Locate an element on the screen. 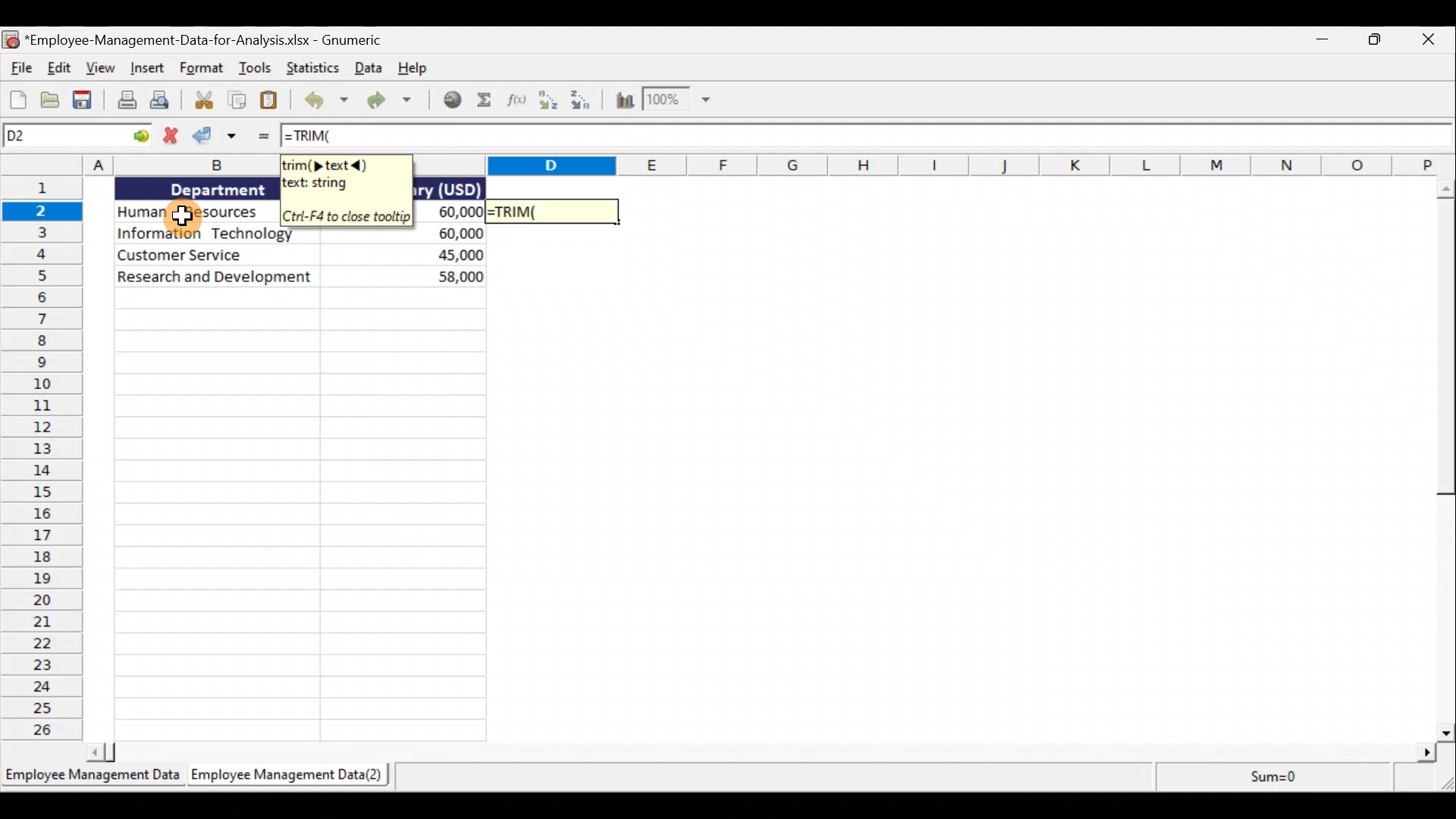 The image size is (1456, 819). Sheet 2 is located at coordinates (295, 776).